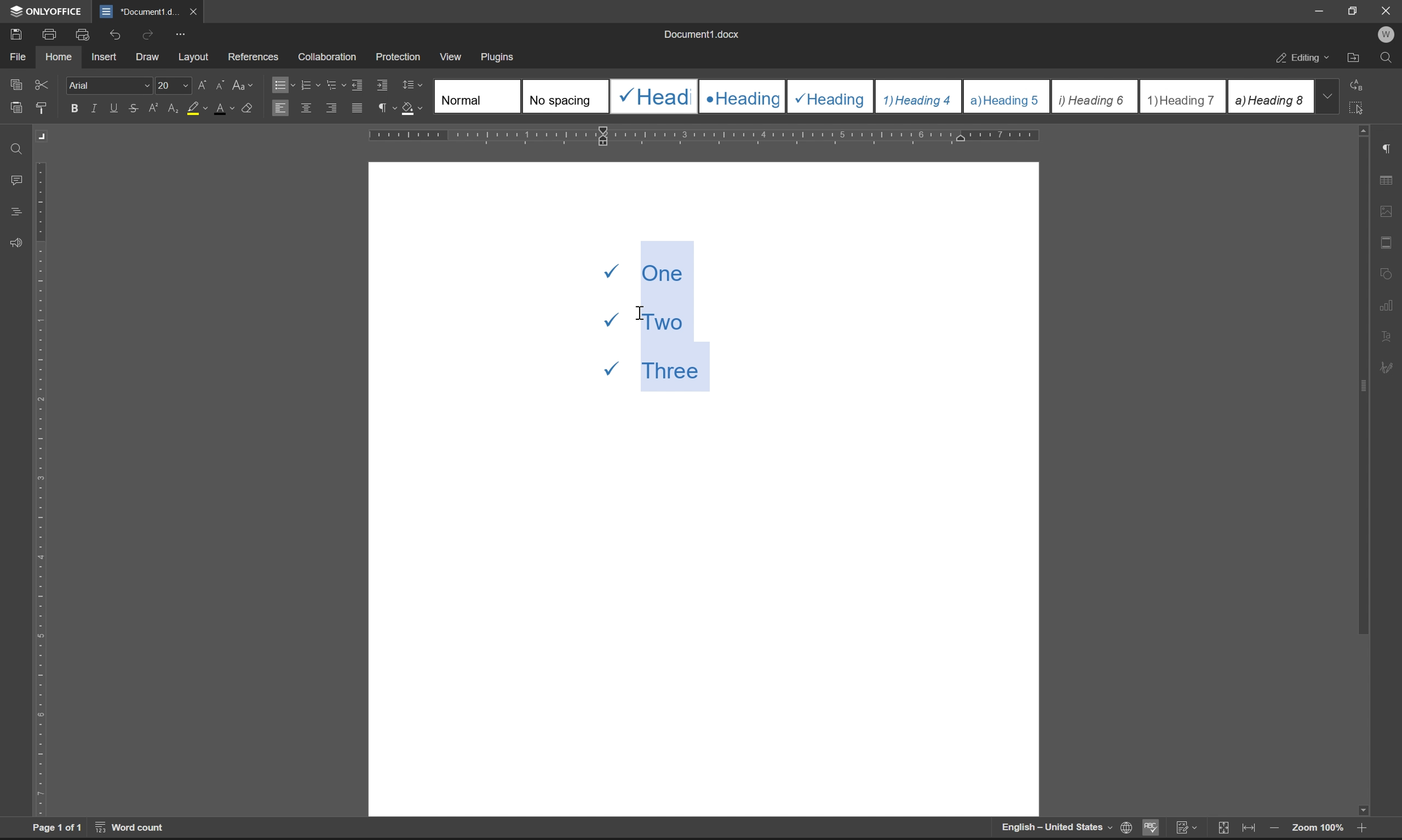 The image size is (1402, 840). Describe the element at coordinates (1386, 271) in the screenshot. I see `shape settings` at that location.